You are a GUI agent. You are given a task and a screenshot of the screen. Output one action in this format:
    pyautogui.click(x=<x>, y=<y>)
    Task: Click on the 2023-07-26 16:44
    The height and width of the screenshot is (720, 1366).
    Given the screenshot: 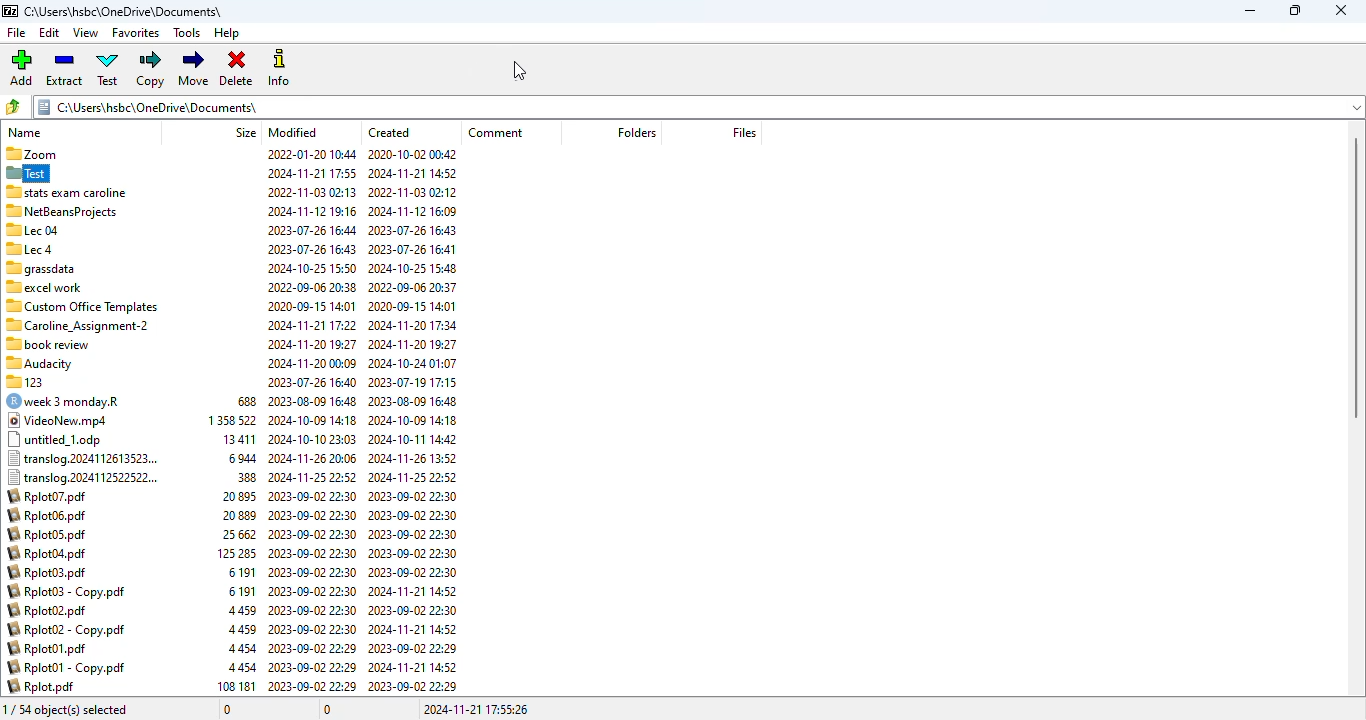 What is the action you would take?
    pyautogui.click(x=314, y=230)
    